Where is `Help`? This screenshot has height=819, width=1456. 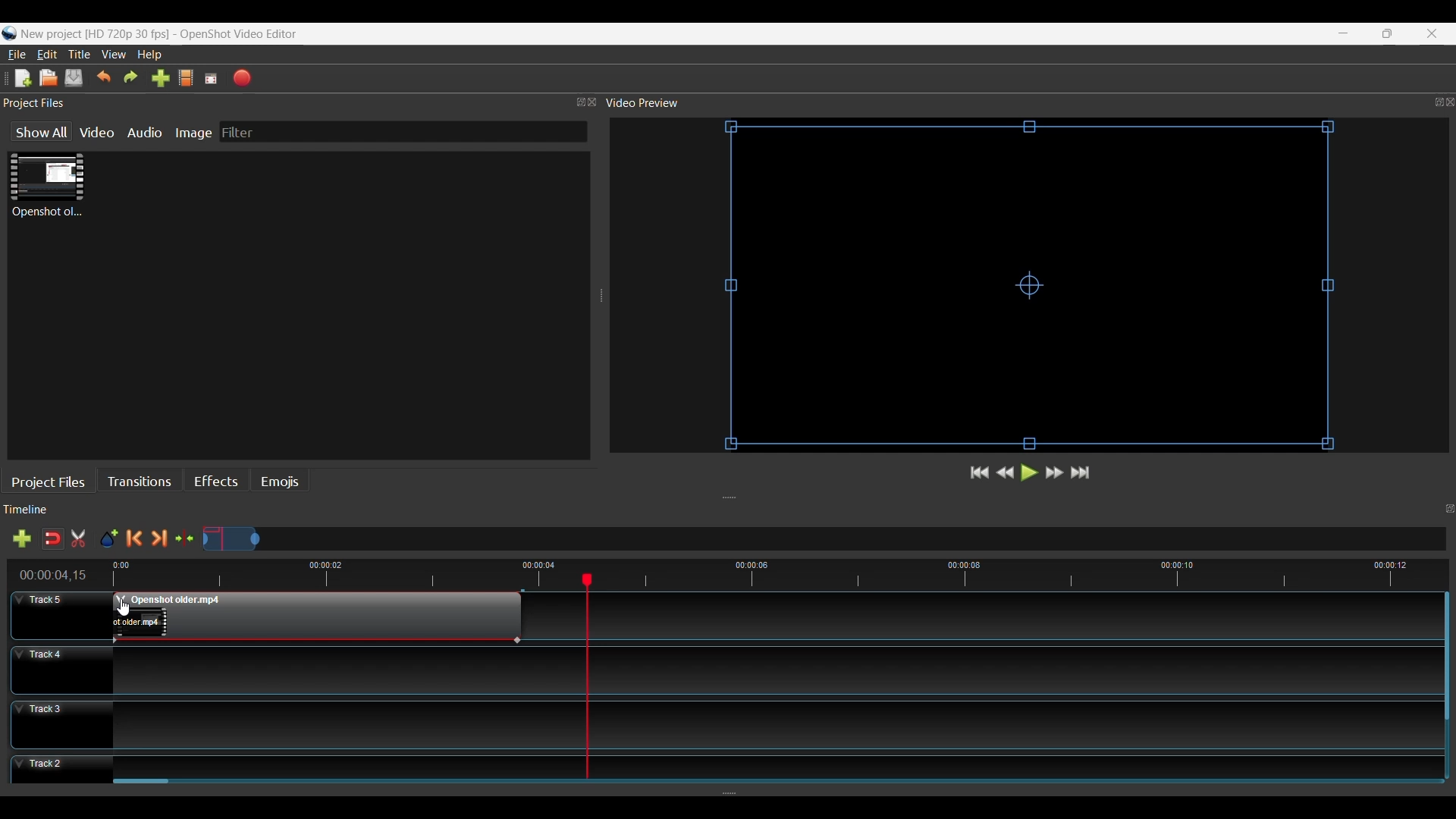 Help is located at coordinates (151, 55).